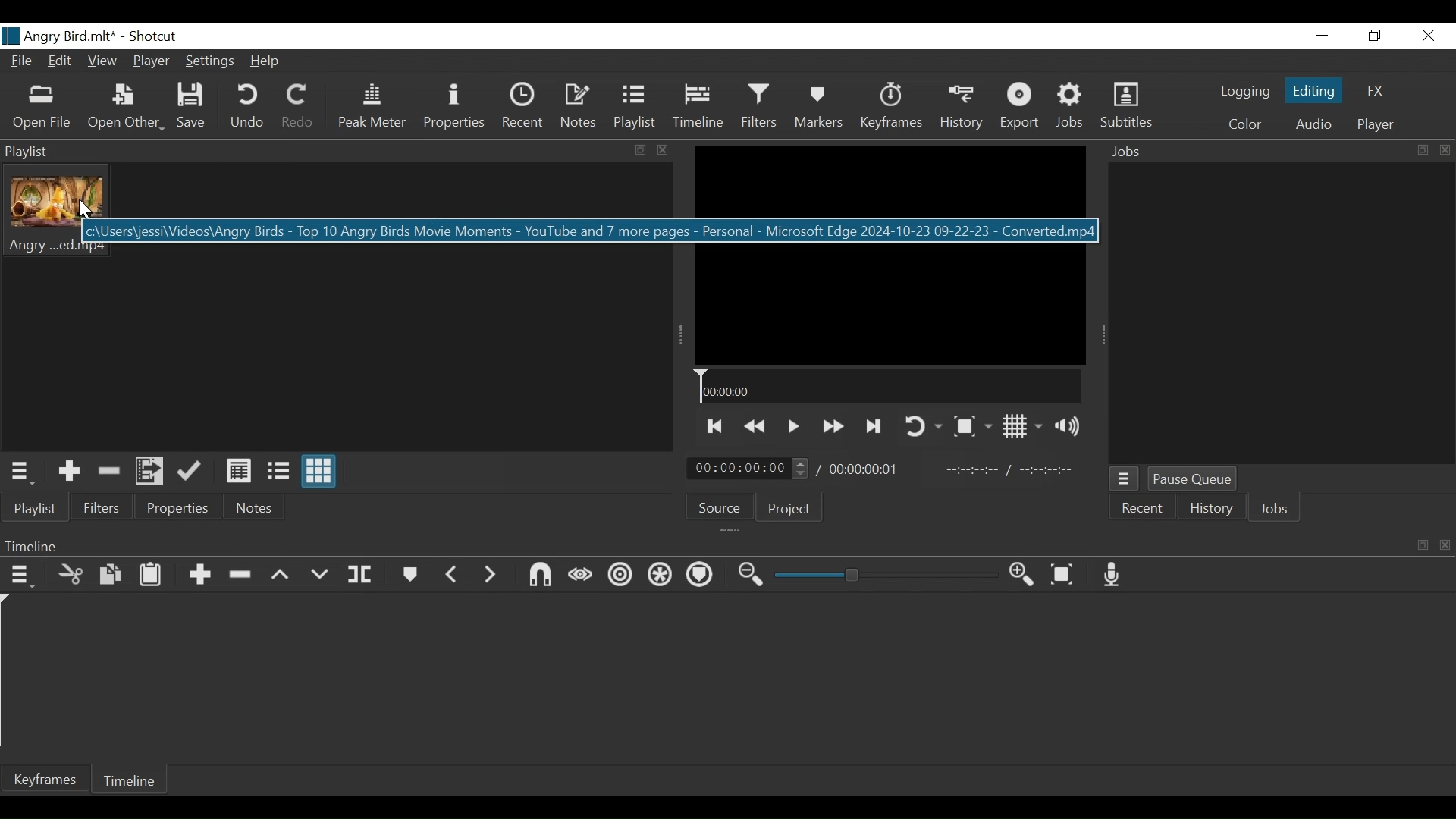 The height and width of the screenshot is (819, 1456). I want to click on Clip thumbnail, so click(343, 307).